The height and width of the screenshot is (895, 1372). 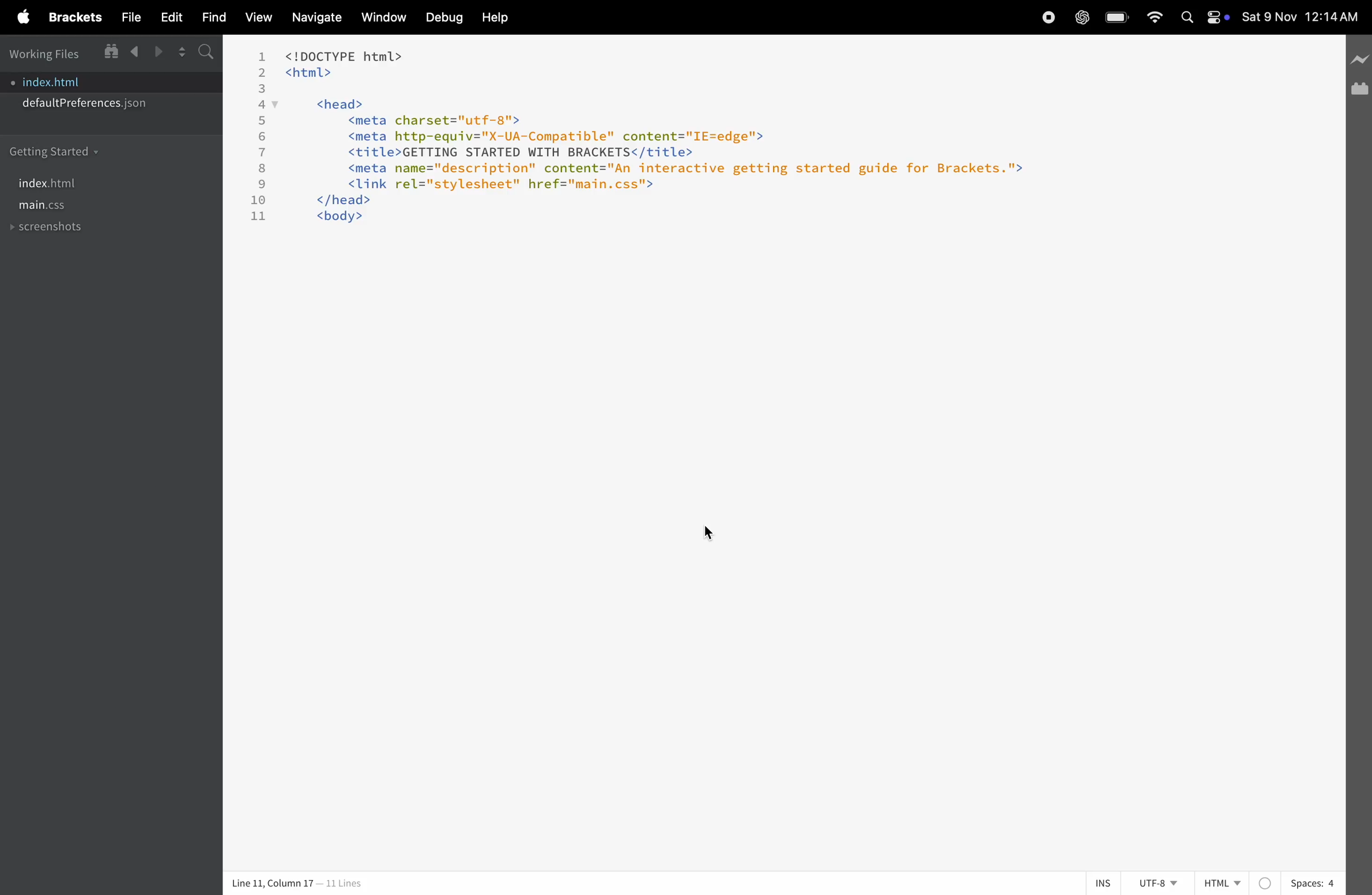 I want to click on ins, so click(x=1103, y=883).